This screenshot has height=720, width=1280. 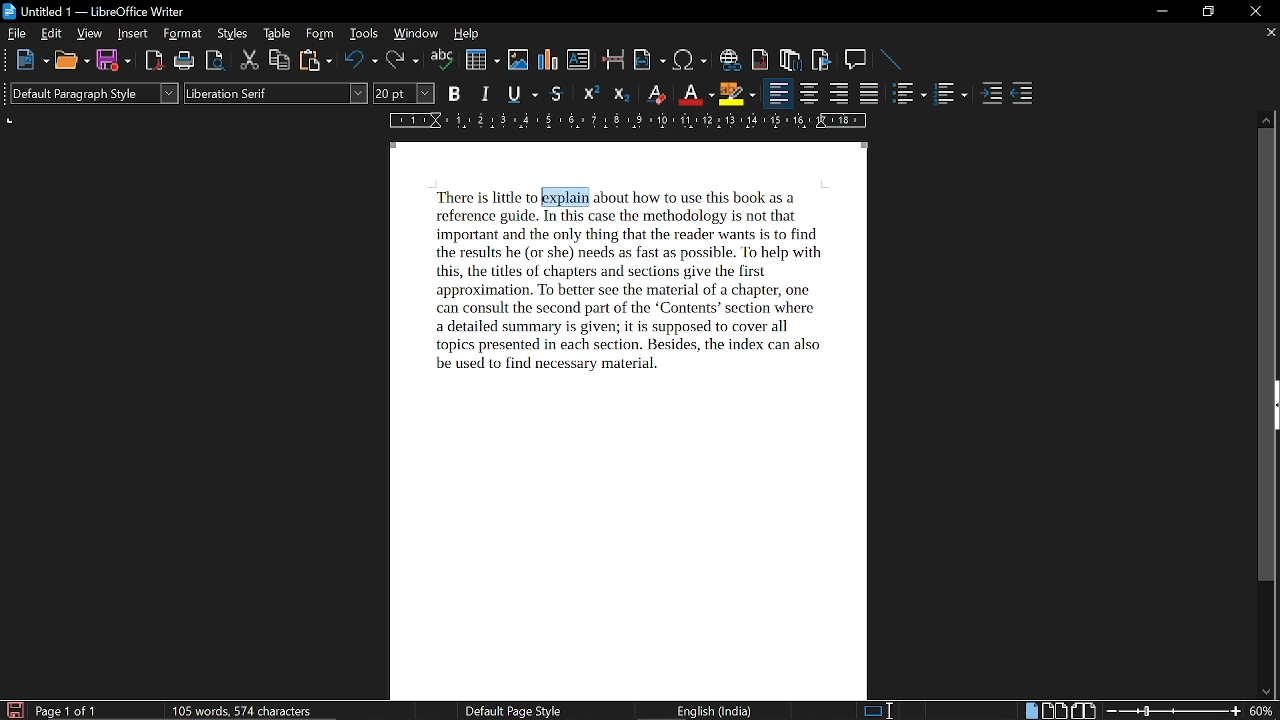 What do you see at coordinates (563, 196) in the screenshot?
I see `to explain` at bounding box center [563, 196].